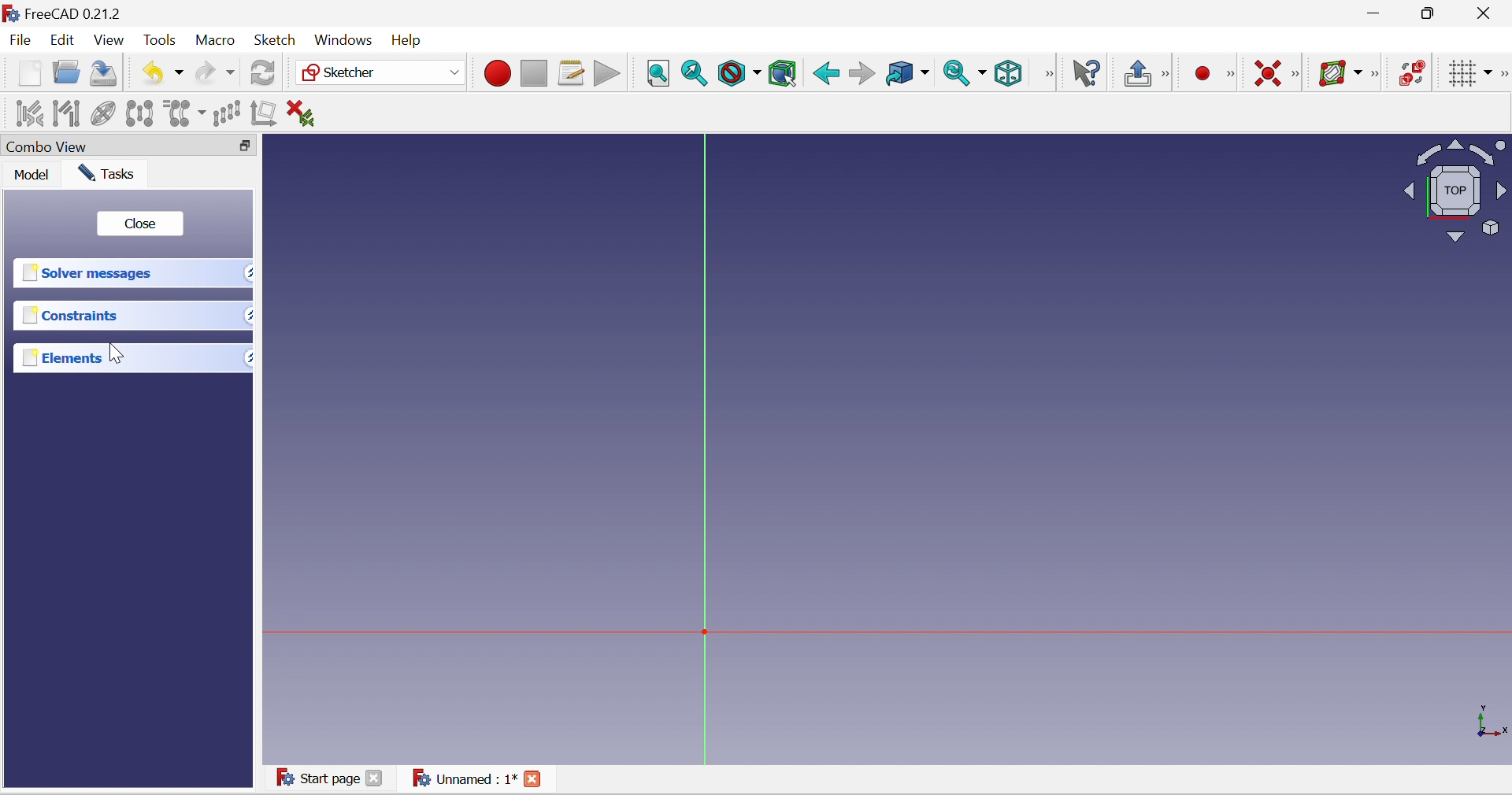 The height and width of the screenshot is (795, 1512). Describe the element at coordinates (332, 778) in the screenshot. I see `Start page` at that location.